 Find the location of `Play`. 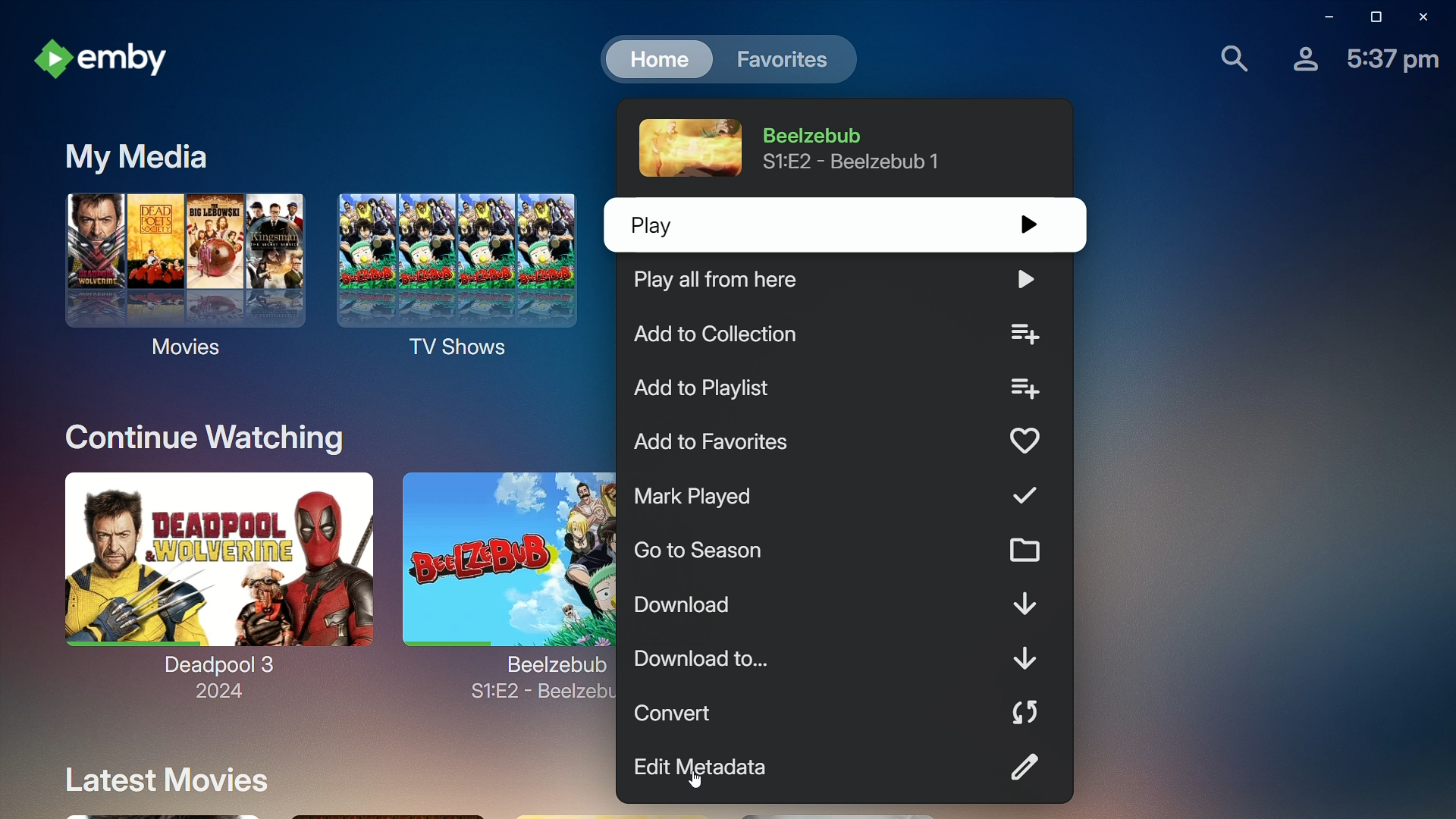

Play is located at coordinates (830, 228).